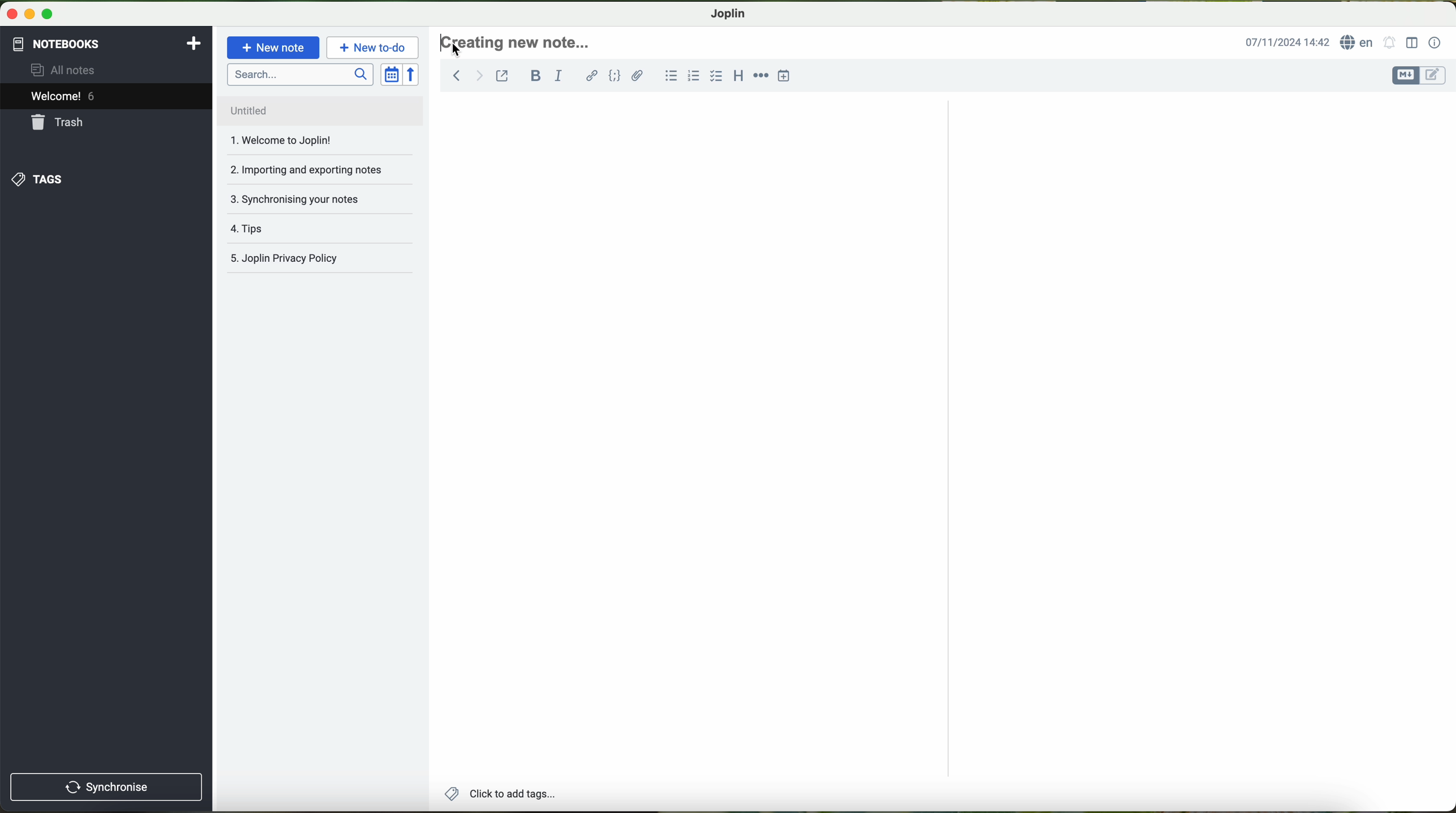 Image resolution: width=1456 pixels, height=813 pixels. Describe the element at coordinates (727, 13) in the screenshot. I see `Joplin` at that location.